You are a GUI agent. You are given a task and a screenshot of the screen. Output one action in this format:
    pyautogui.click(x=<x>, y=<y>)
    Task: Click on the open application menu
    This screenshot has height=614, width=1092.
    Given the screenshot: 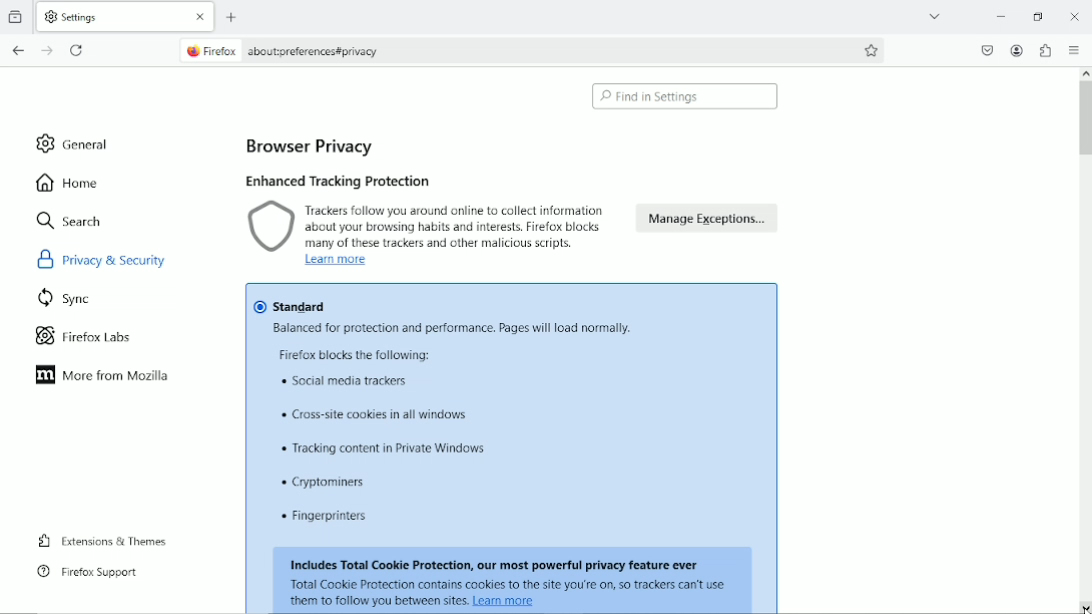 What is the action you would take?
    pyautogui.click(x=1077, y=51)
    